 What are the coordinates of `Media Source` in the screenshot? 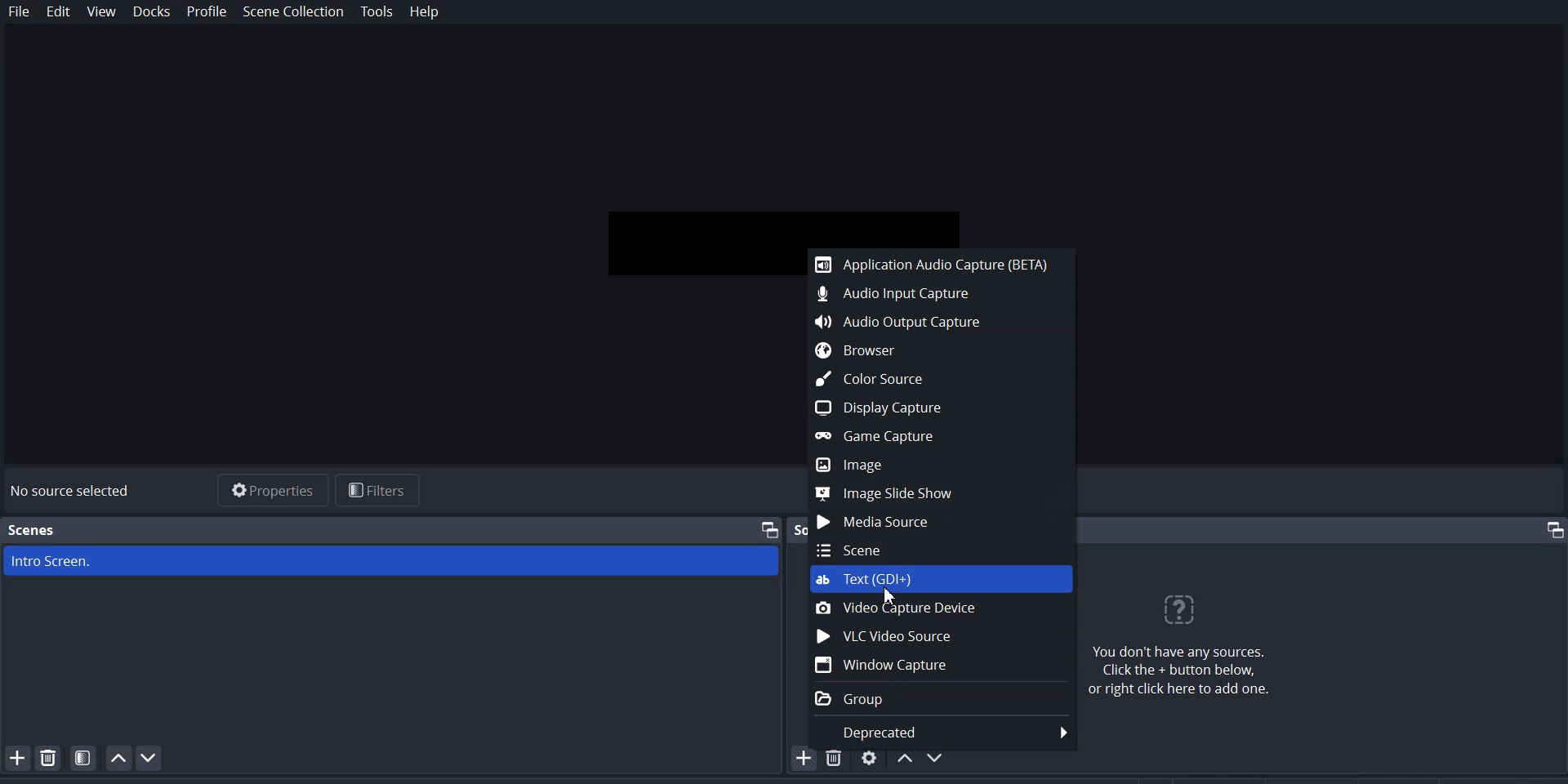 It's located at (940, 523).